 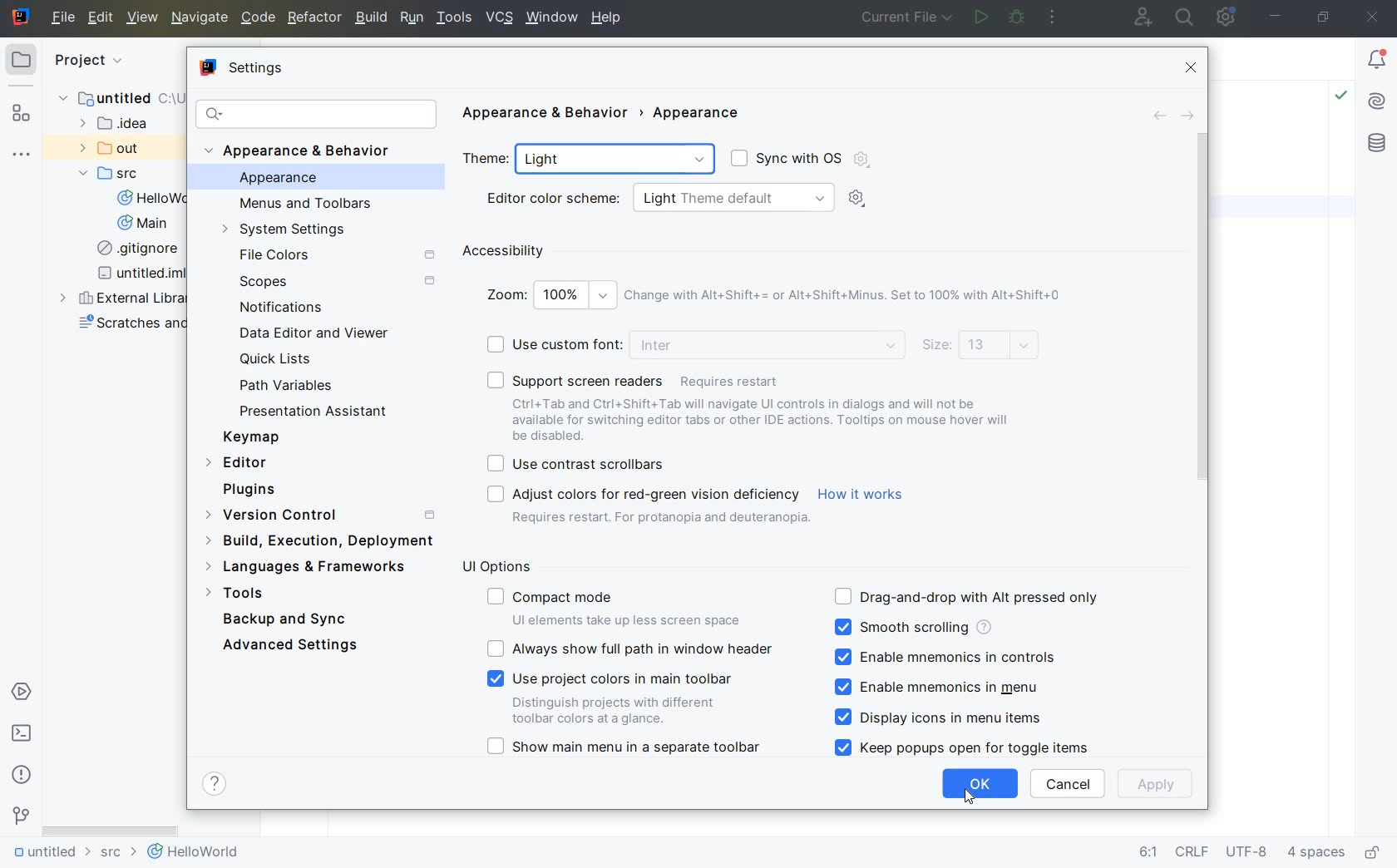 What do you see at coordinates (141, 250) in the screenshot?
I see `.GITIGNORE` at bounding box center [141, 250].